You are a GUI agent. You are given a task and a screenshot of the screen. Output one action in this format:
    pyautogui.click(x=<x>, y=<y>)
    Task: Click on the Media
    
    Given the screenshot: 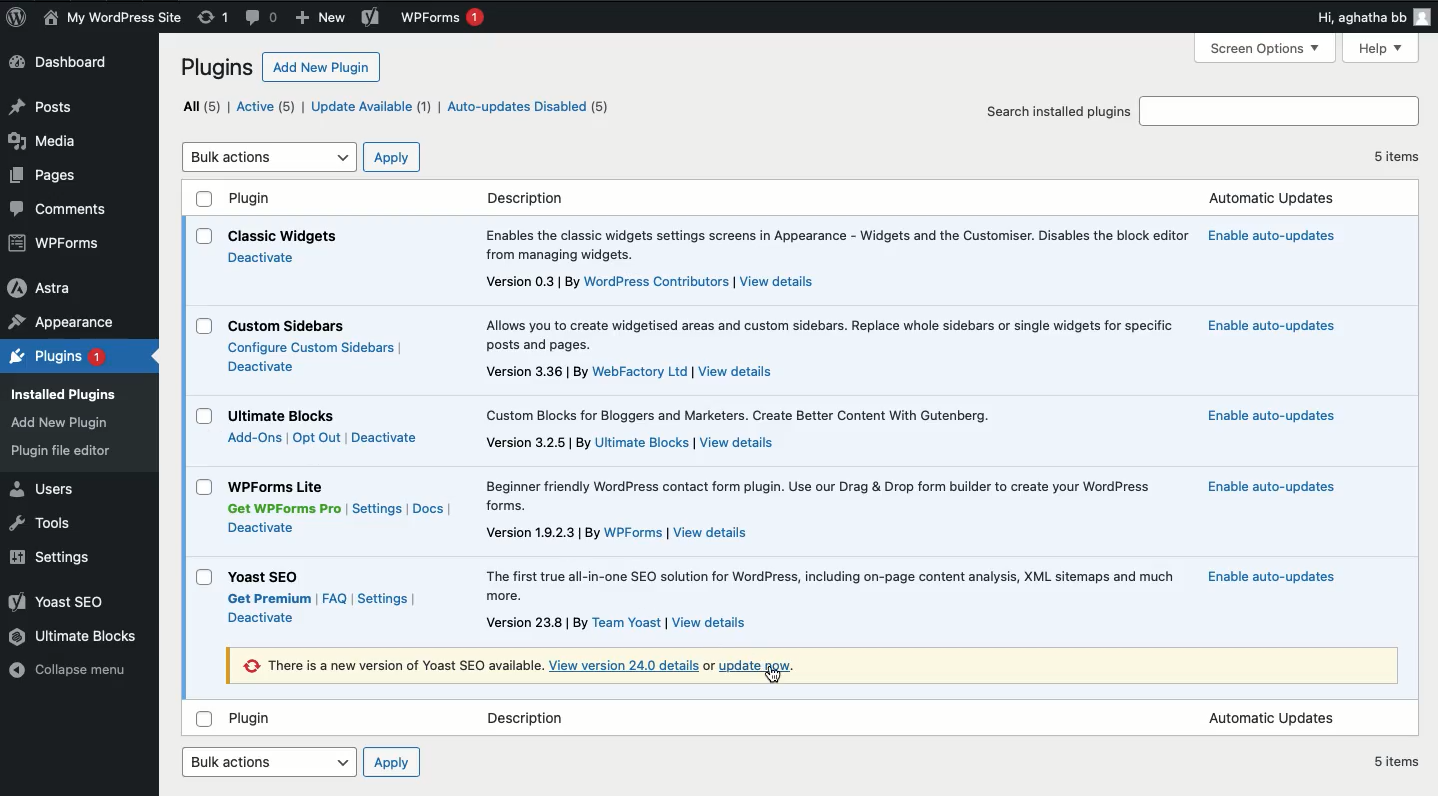 What is the action you would take?
    pyautogui.click(x=45, y=142)
    